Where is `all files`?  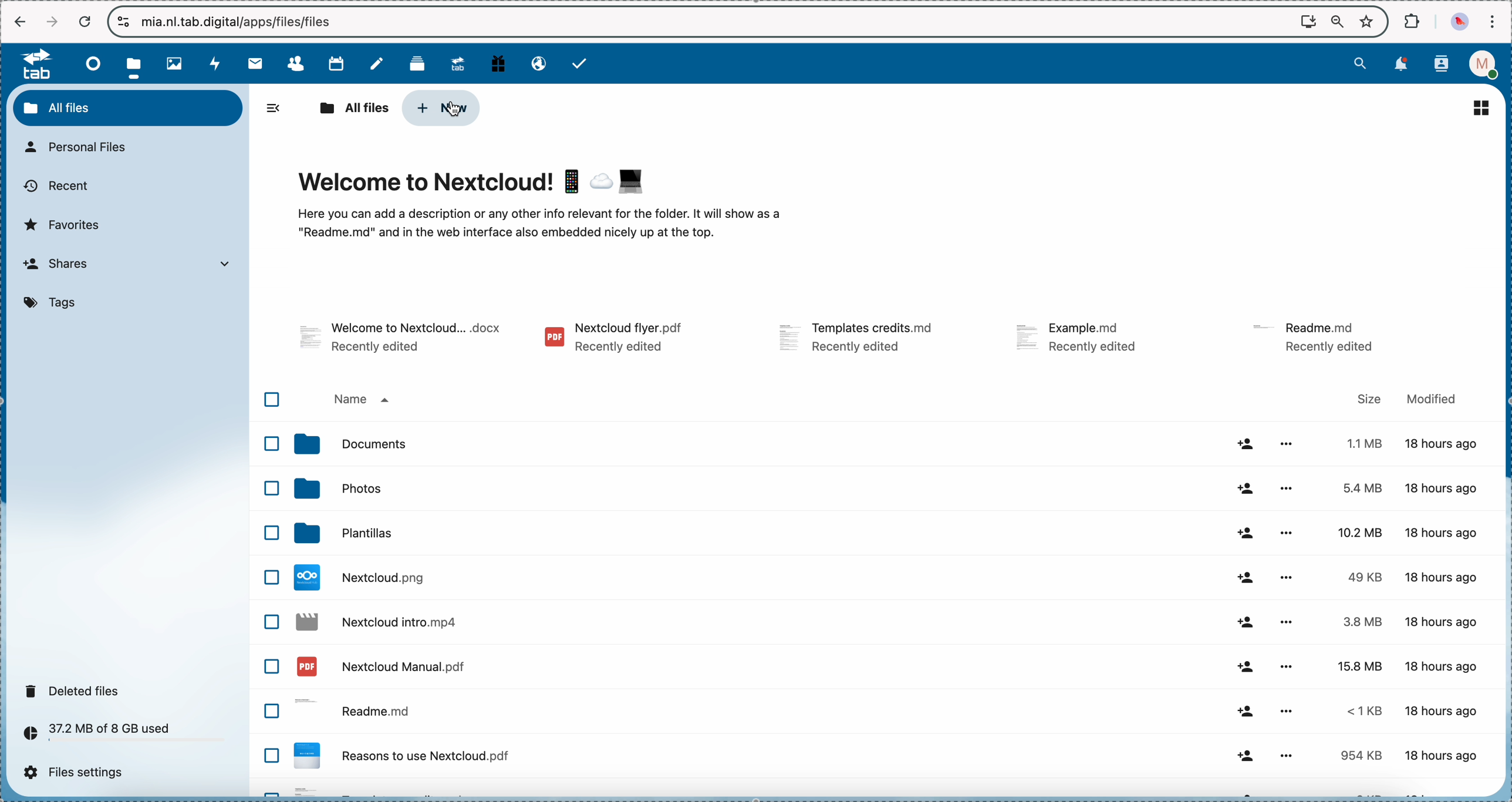
all files is located at coordinates (352, 109).